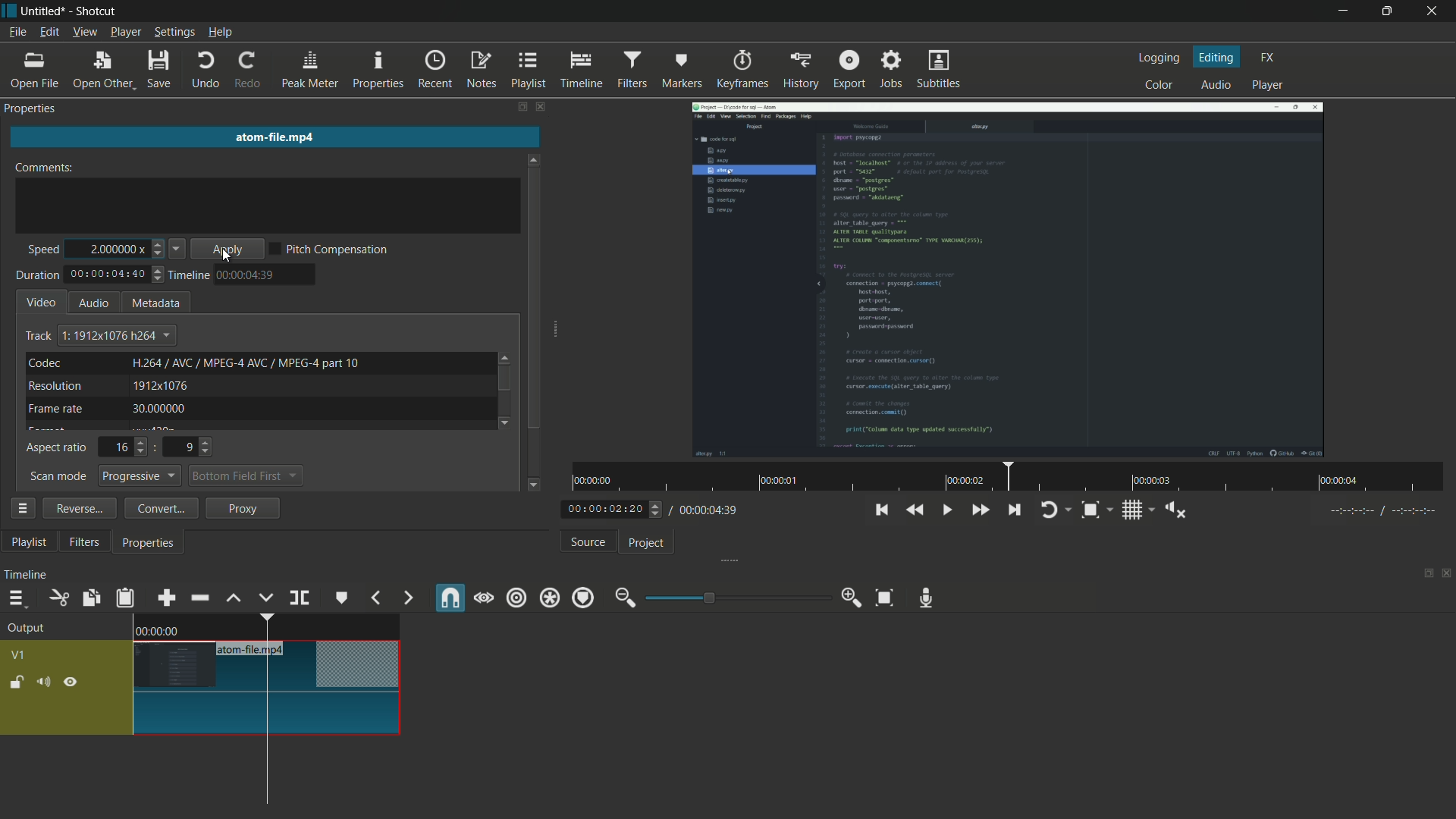 This screenshot has width=1456, height=819. I want to click on 2, so click(111, 245).